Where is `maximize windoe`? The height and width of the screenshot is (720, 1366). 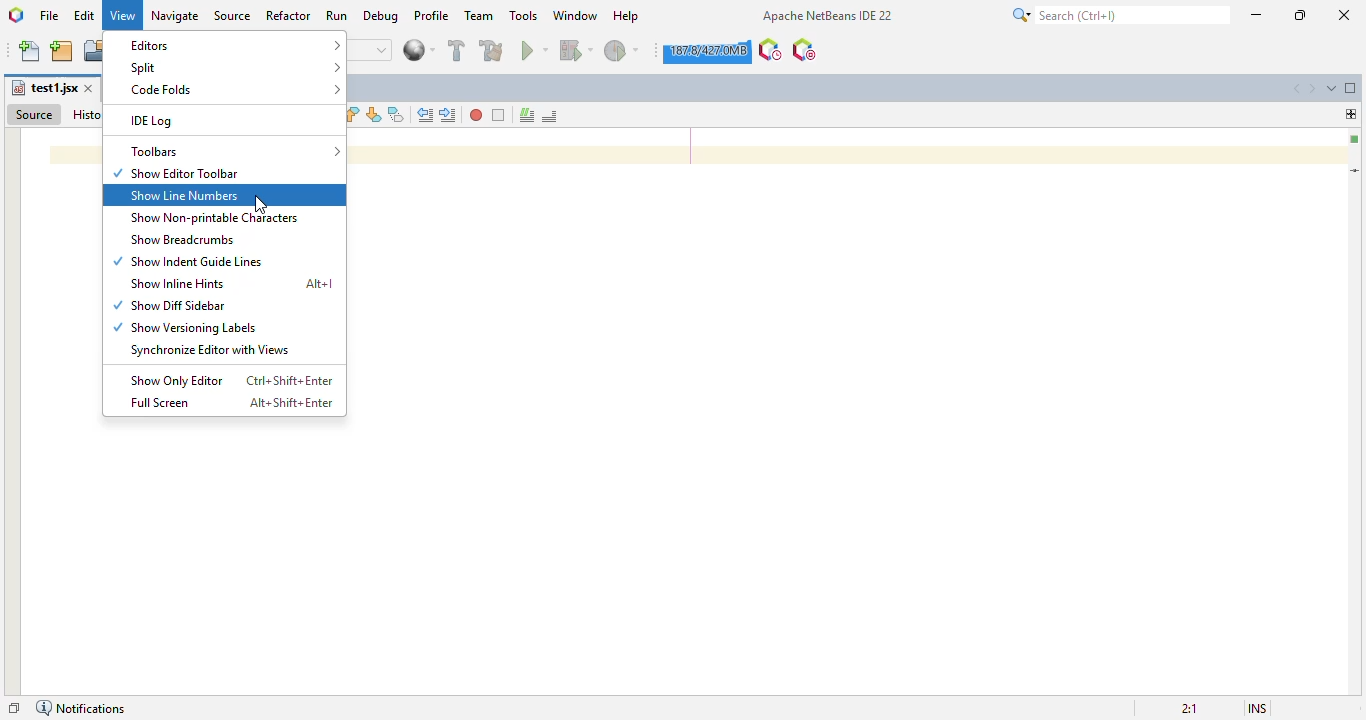 maximize windoe is located at coordinates (1351, 88).